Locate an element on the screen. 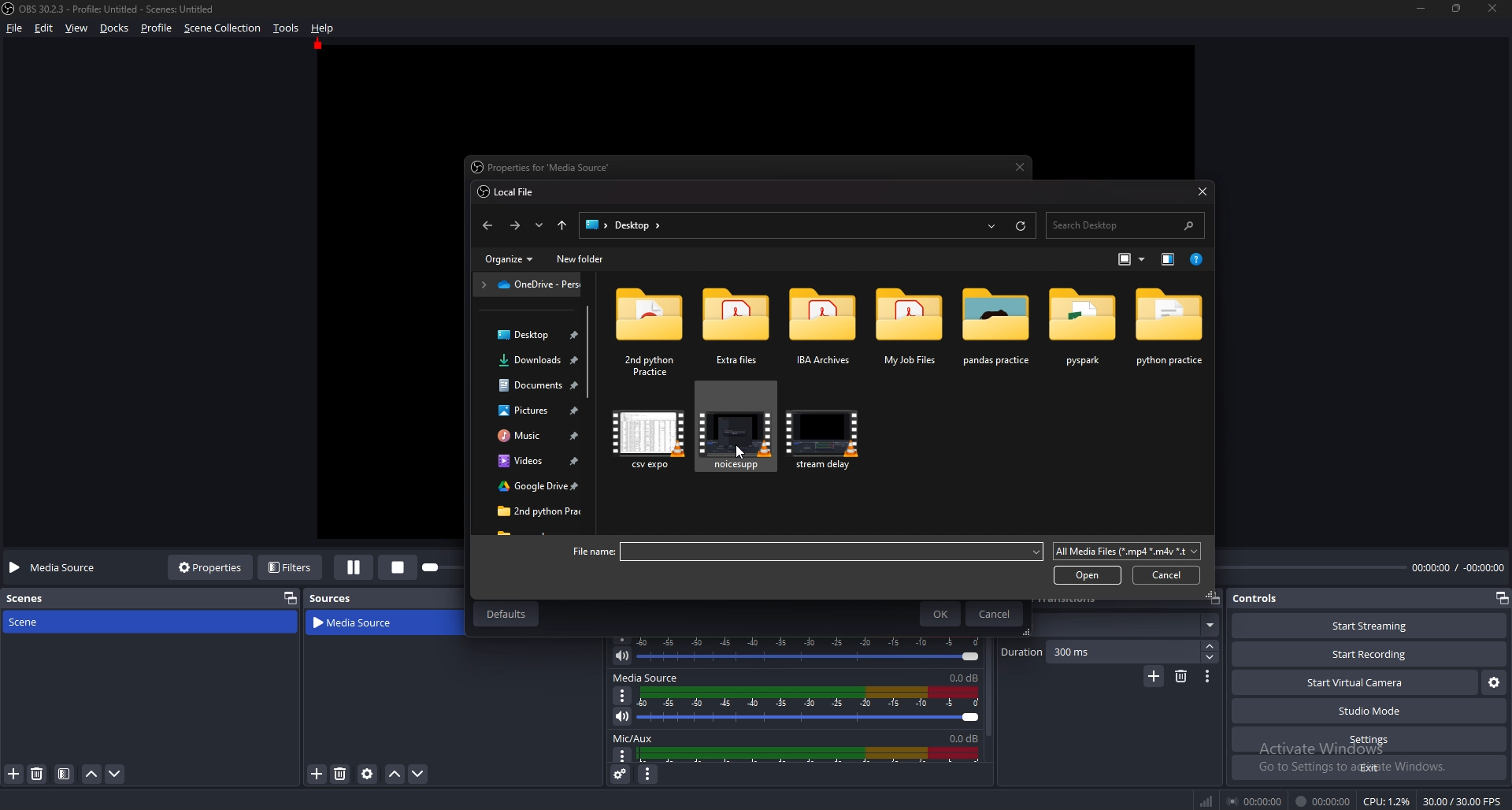 This screenshot has height=810, width=1512. pop out is located at coordinates (1501, 600).